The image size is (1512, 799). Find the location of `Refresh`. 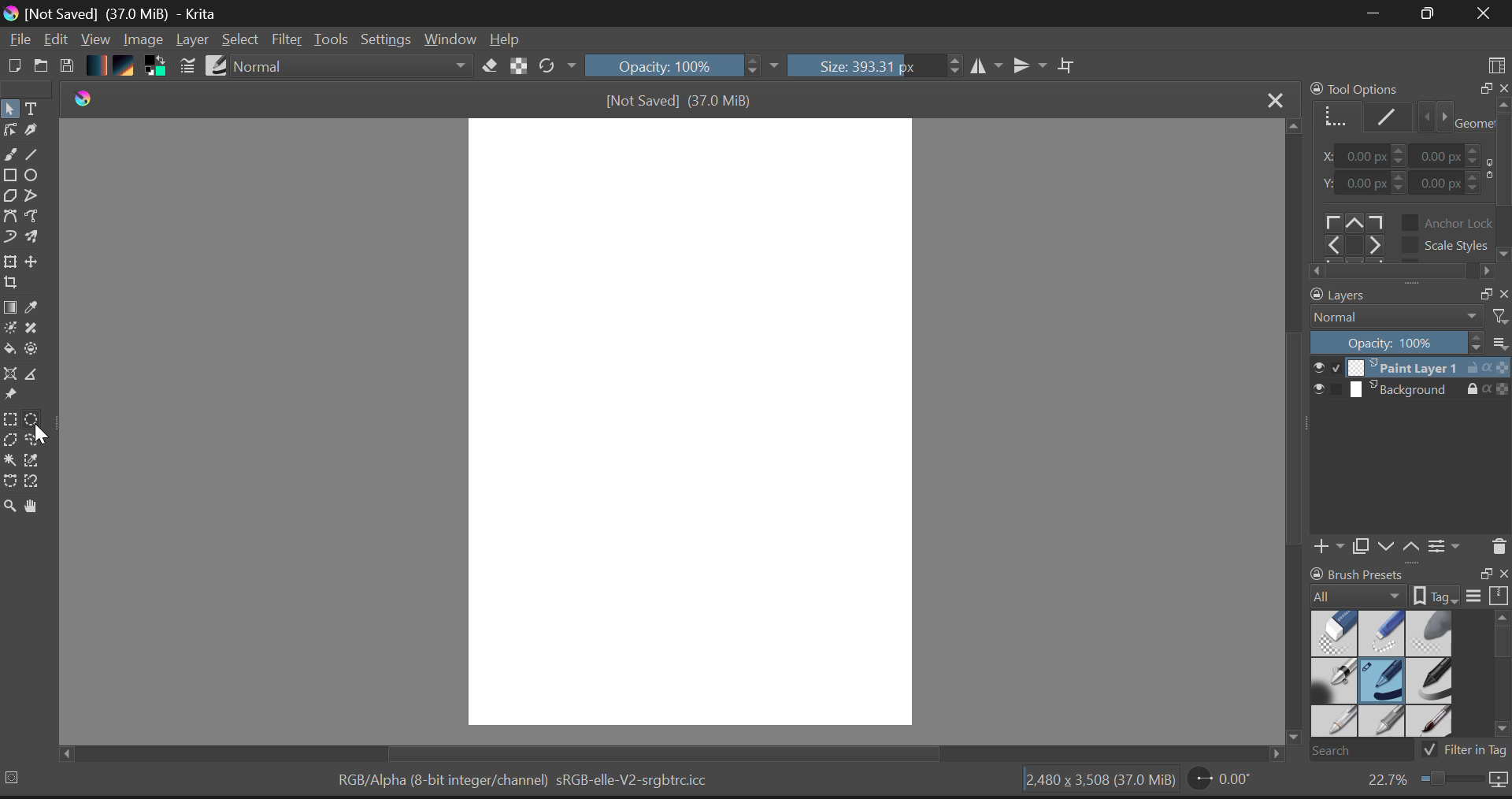

Refresh is located at coordinates (557, 67).